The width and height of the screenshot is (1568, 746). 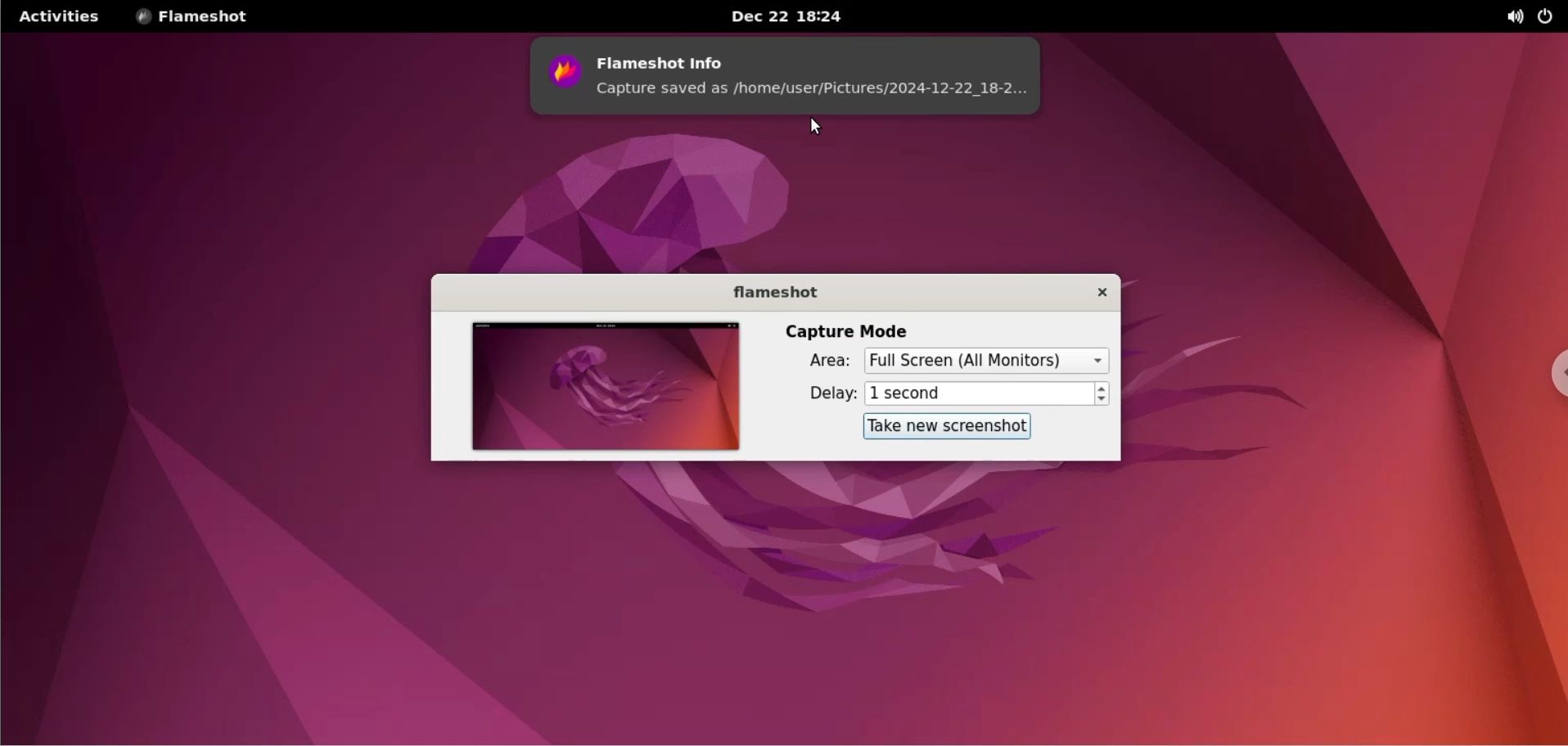 What do you see at coordinates (559, 77) in the screenshot?
I see `flameshot logo` at bounding box center [559, 77].